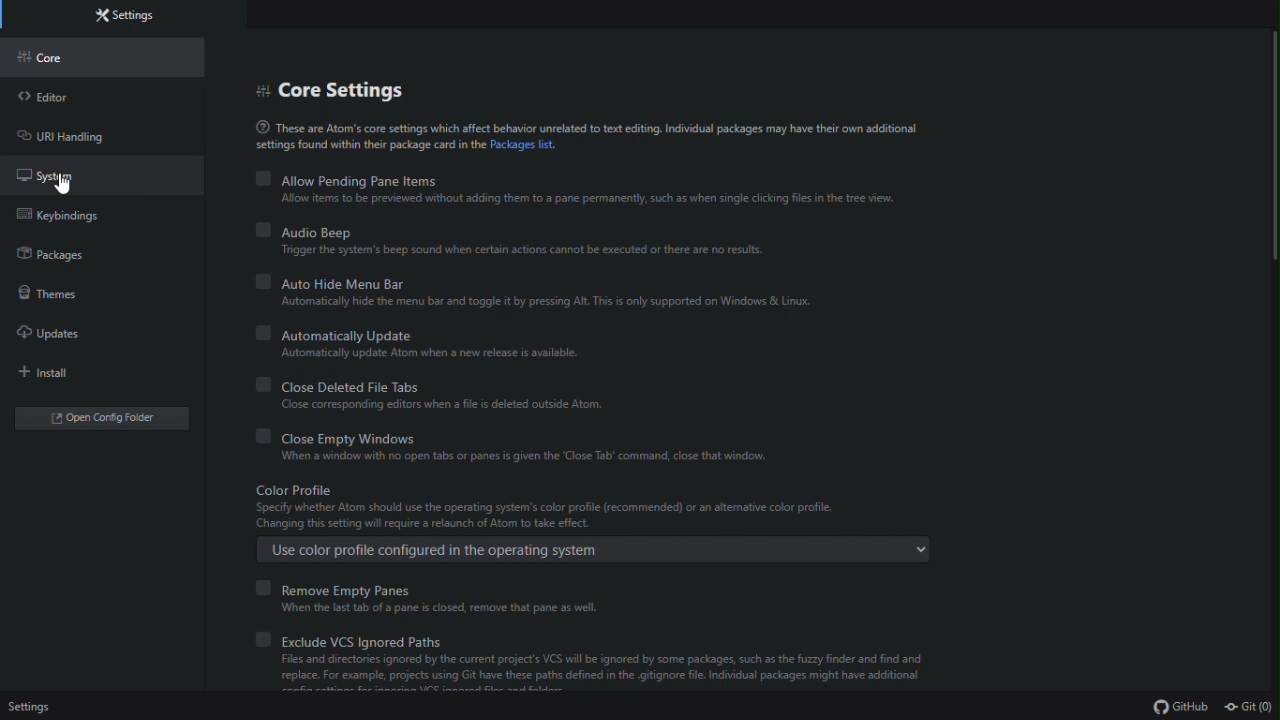 This screenshot has width=1280, height=720. What do you see at coordinates (461, 354) in the screenshot?
I see `Automatically update Atom when a new release is available.` at bounding box center [461, 354].